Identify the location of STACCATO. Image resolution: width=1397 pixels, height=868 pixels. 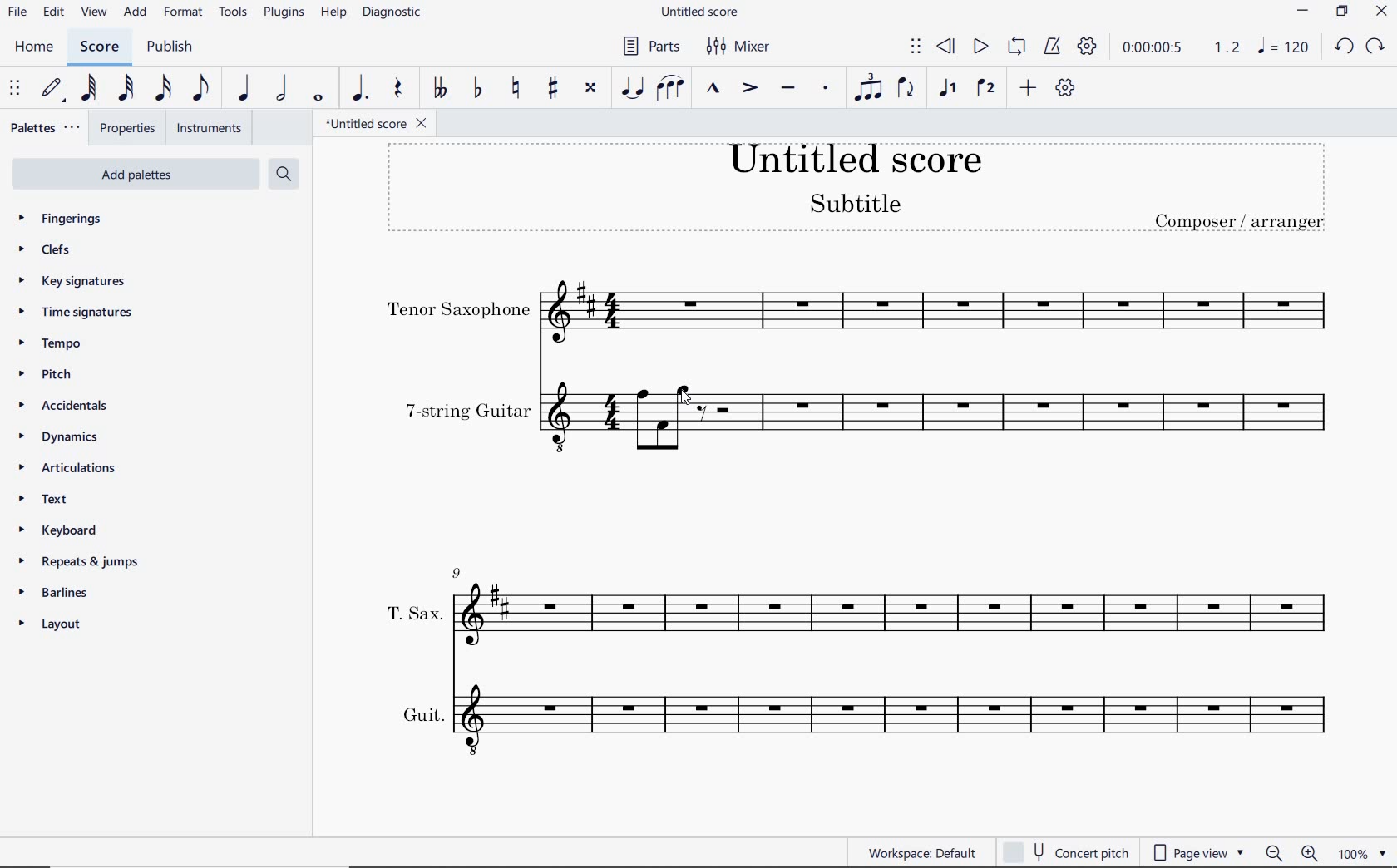
(825, 87).